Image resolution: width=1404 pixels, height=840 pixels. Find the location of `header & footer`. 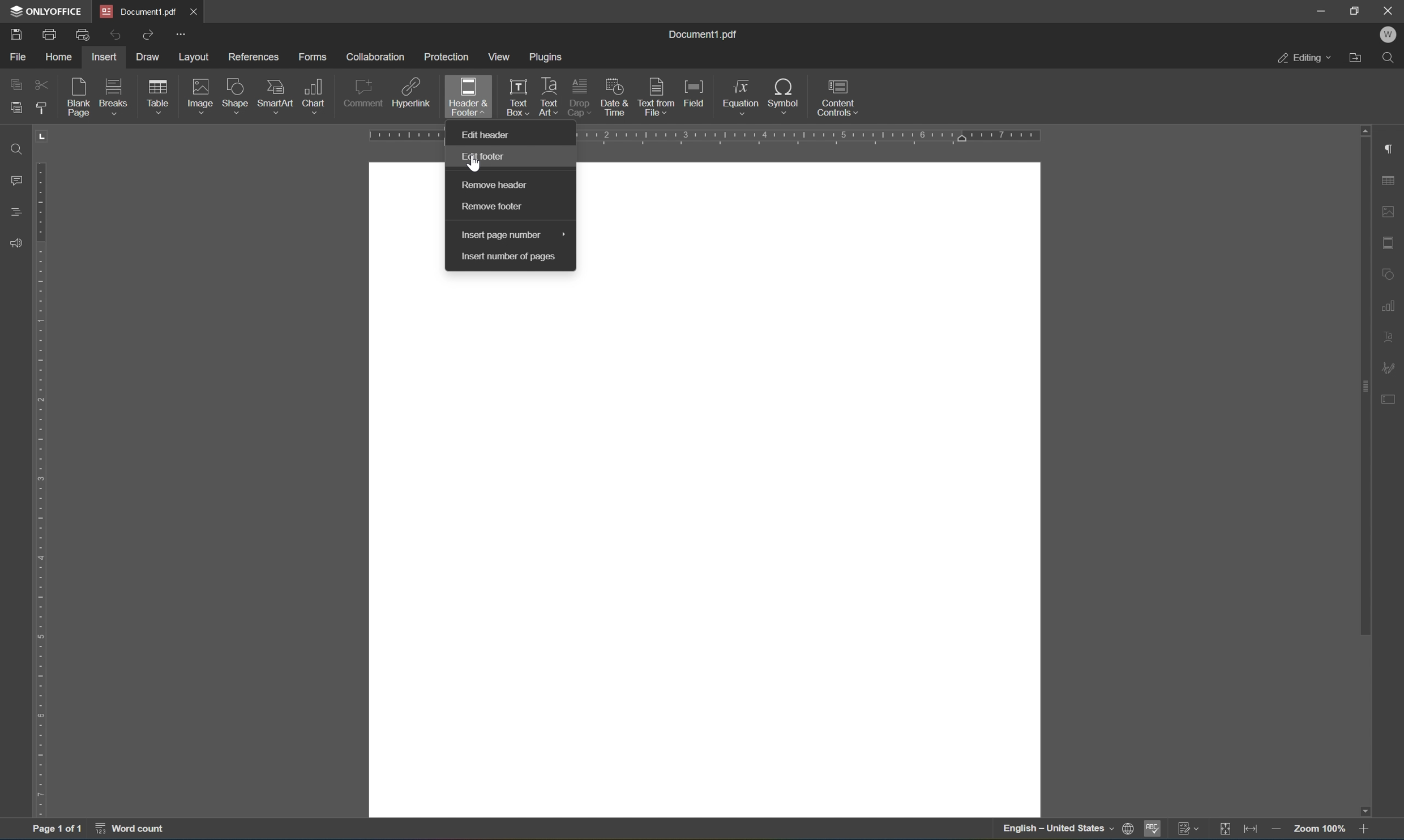

header & footer is located at coordinates (461, 98).